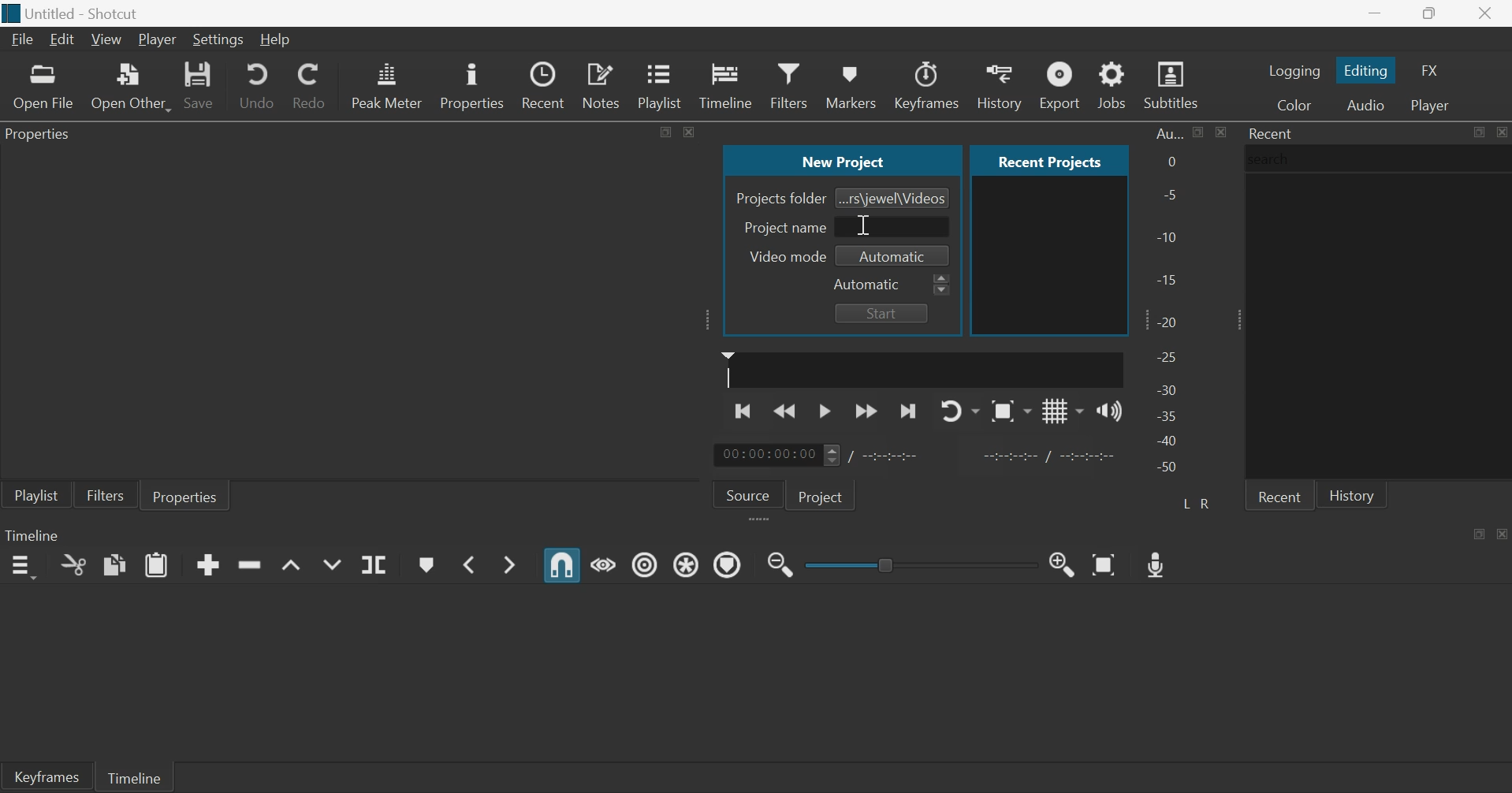 The image size is (1512, 793). I want to click on Project name, so click(785, 227).